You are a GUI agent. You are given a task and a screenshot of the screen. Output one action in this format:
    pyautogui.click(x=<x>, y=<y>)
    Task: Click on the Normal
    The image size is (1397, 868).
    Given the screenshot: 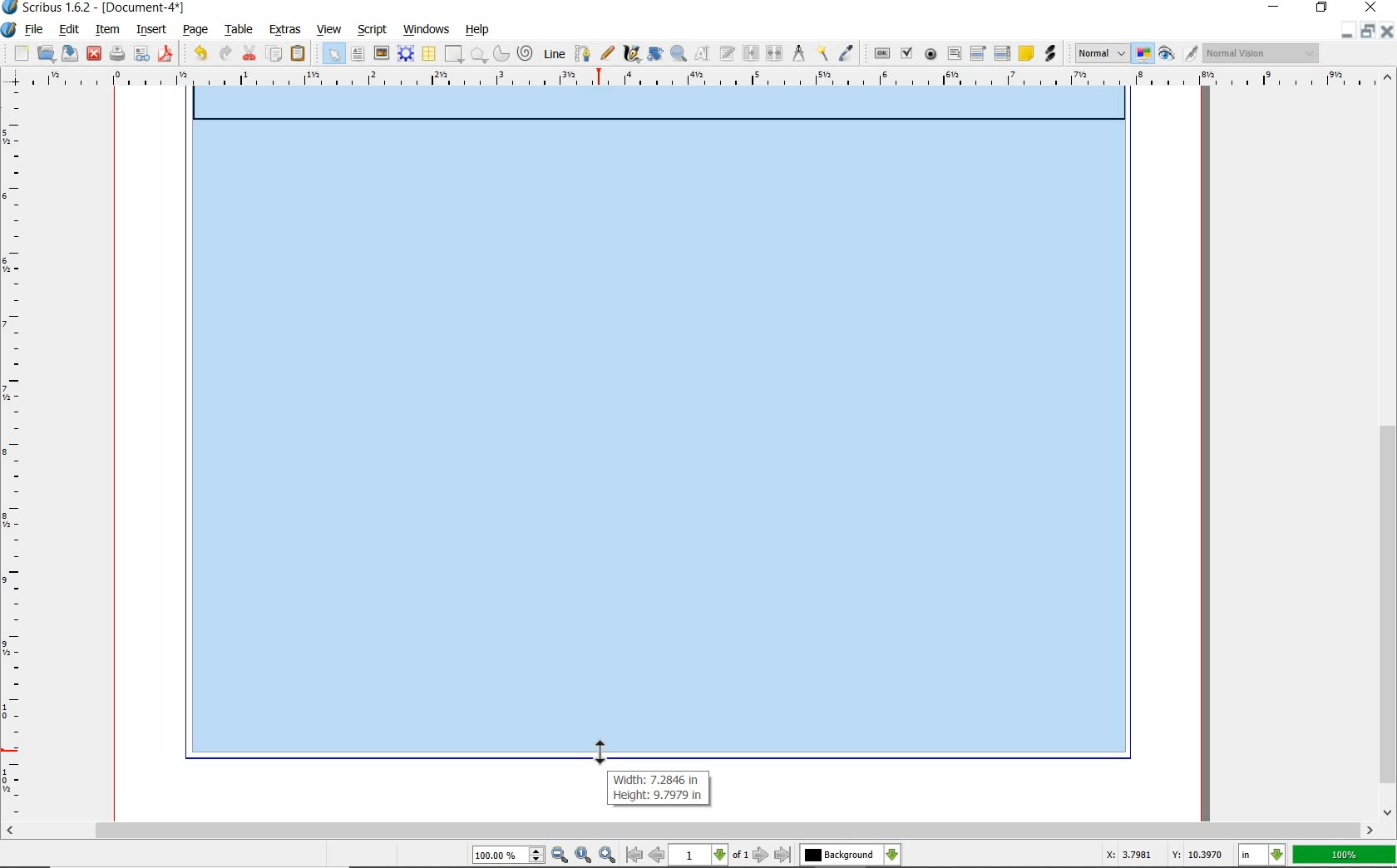 What is the action you would take?
    pyautogui.click(x=1101, y=53)
    